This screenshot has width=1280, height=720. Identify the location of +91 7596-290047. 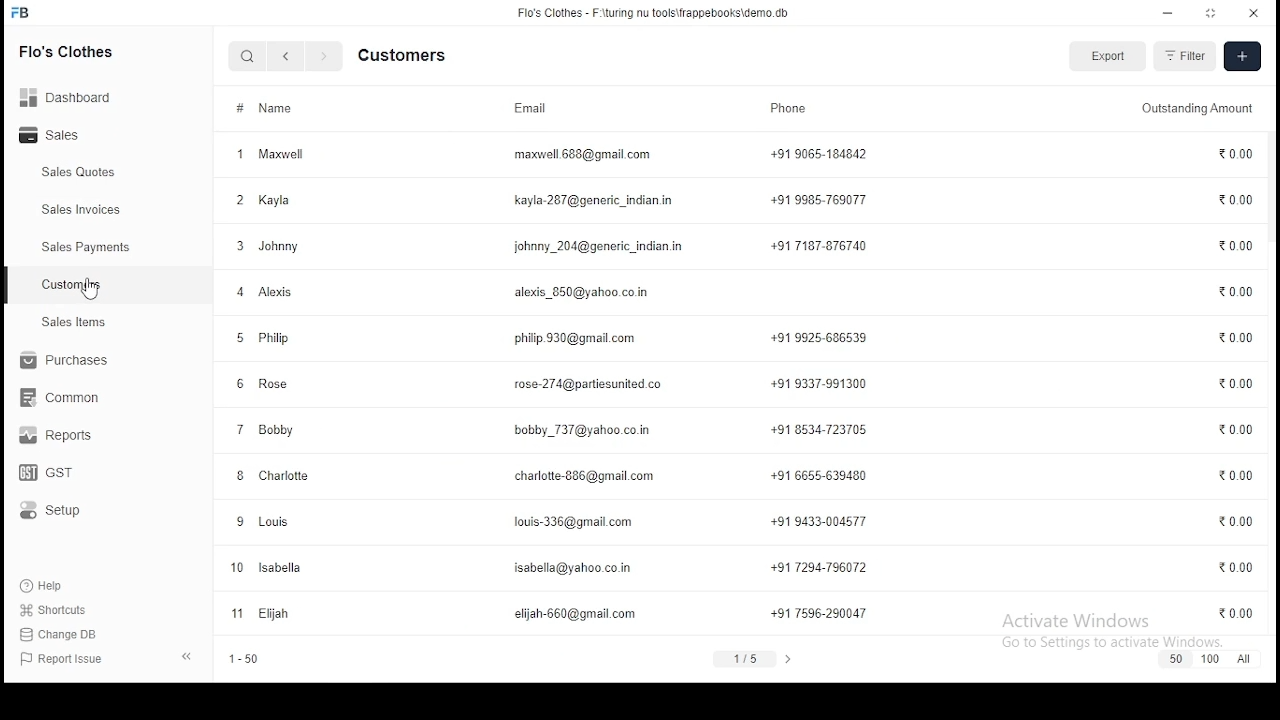
(819, 614).